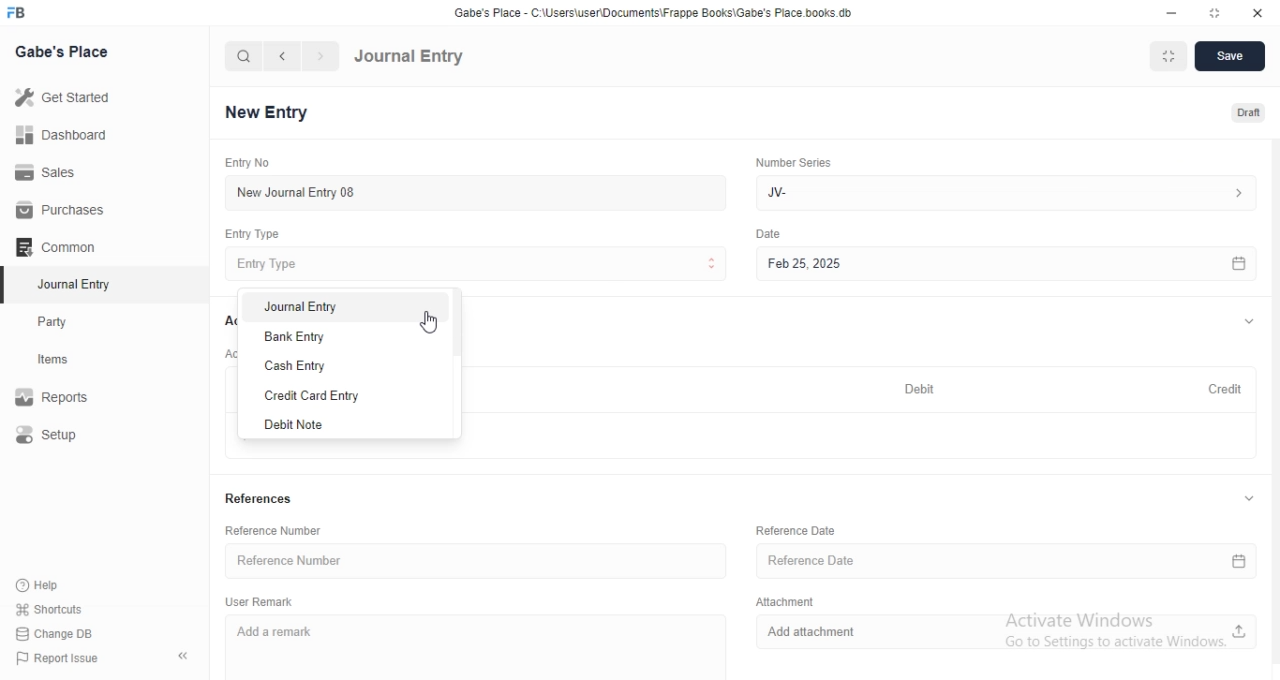 This screenshot has width=1280, height=680. Describe the element at coordinates (1003, 263) in the screenshot. I see `Feb 25, 2025` at that location.